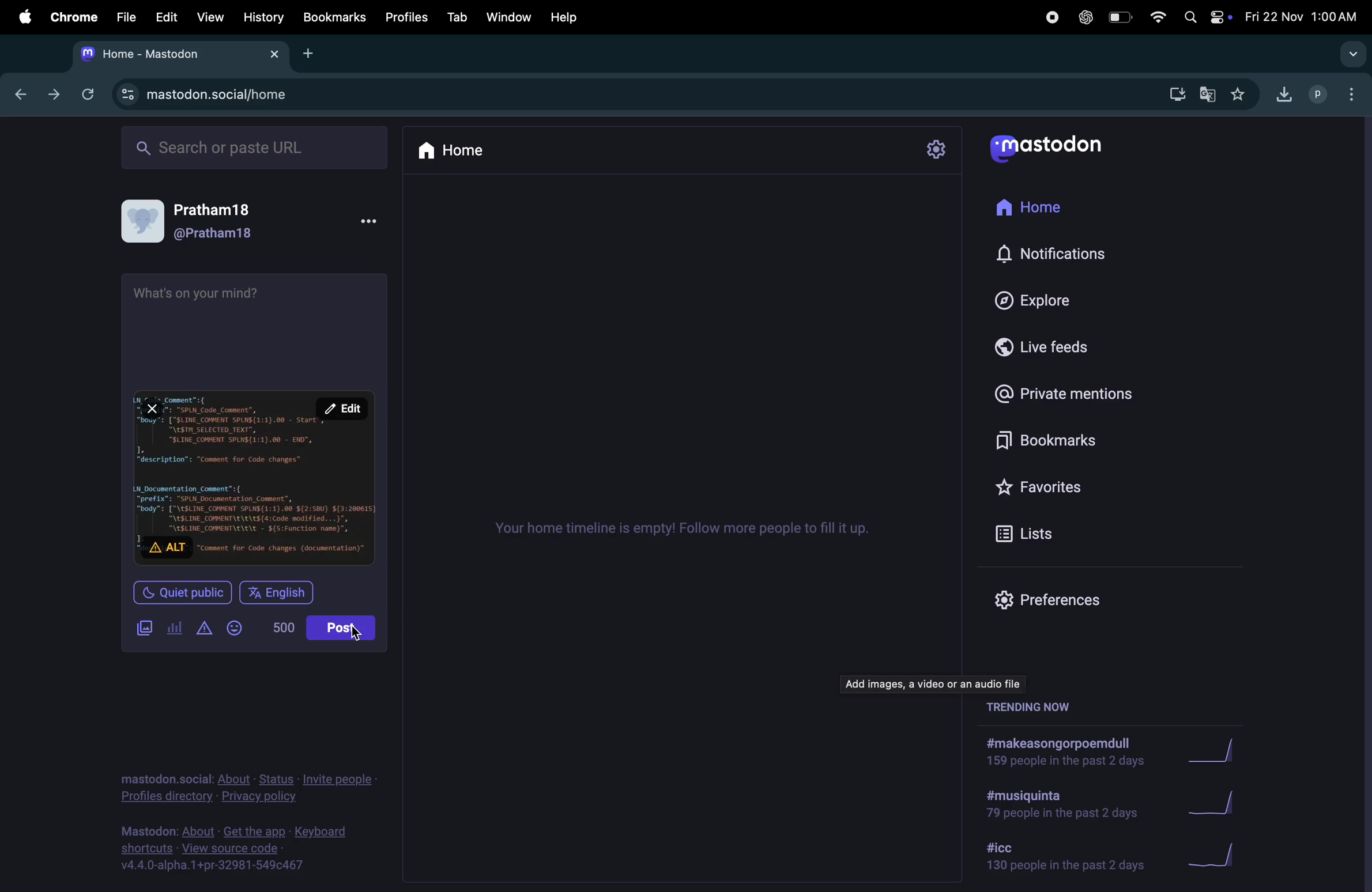 The image size is (1372, 892). Describe the element at coordinates (263, 18) in the screenshot. I see `history` at that location.